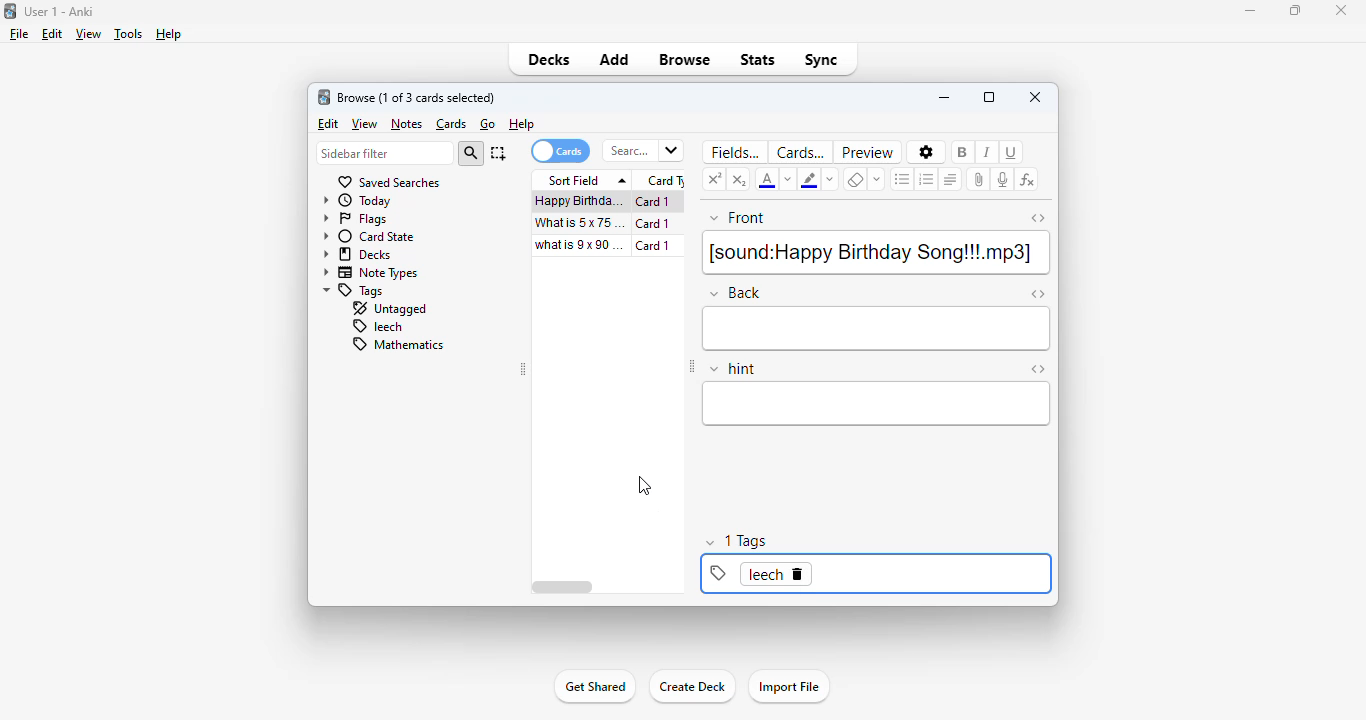 Image resolution: width=1366 pixels, height=720 pixels. I want to click on hint, so click(733, 369).